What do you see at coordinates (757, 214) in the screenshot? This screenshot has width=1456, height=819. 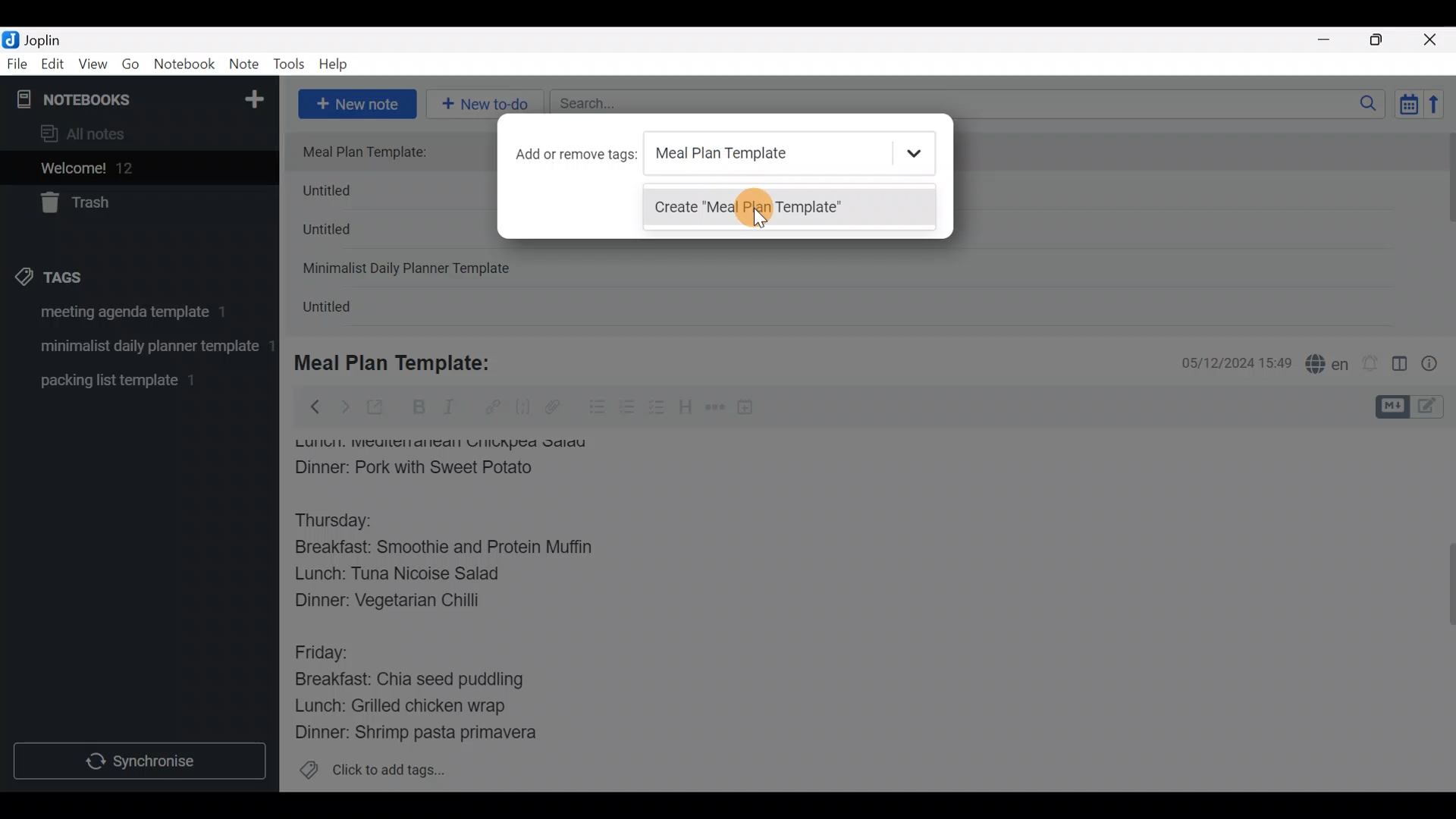 I see `Cursor` at bounding box center [757, 214].